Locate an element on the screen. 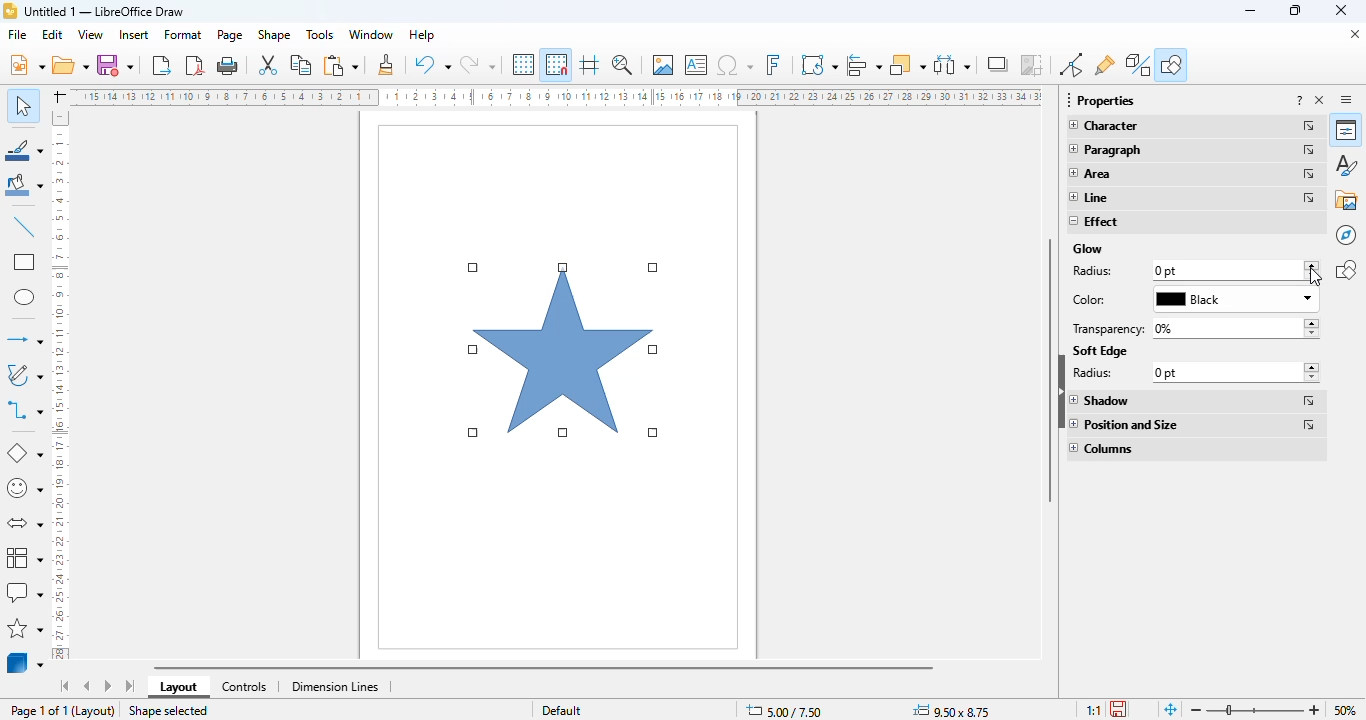 The height and width of the screenshot is (720, 1366). properties is located at coordinates (1346, 130).